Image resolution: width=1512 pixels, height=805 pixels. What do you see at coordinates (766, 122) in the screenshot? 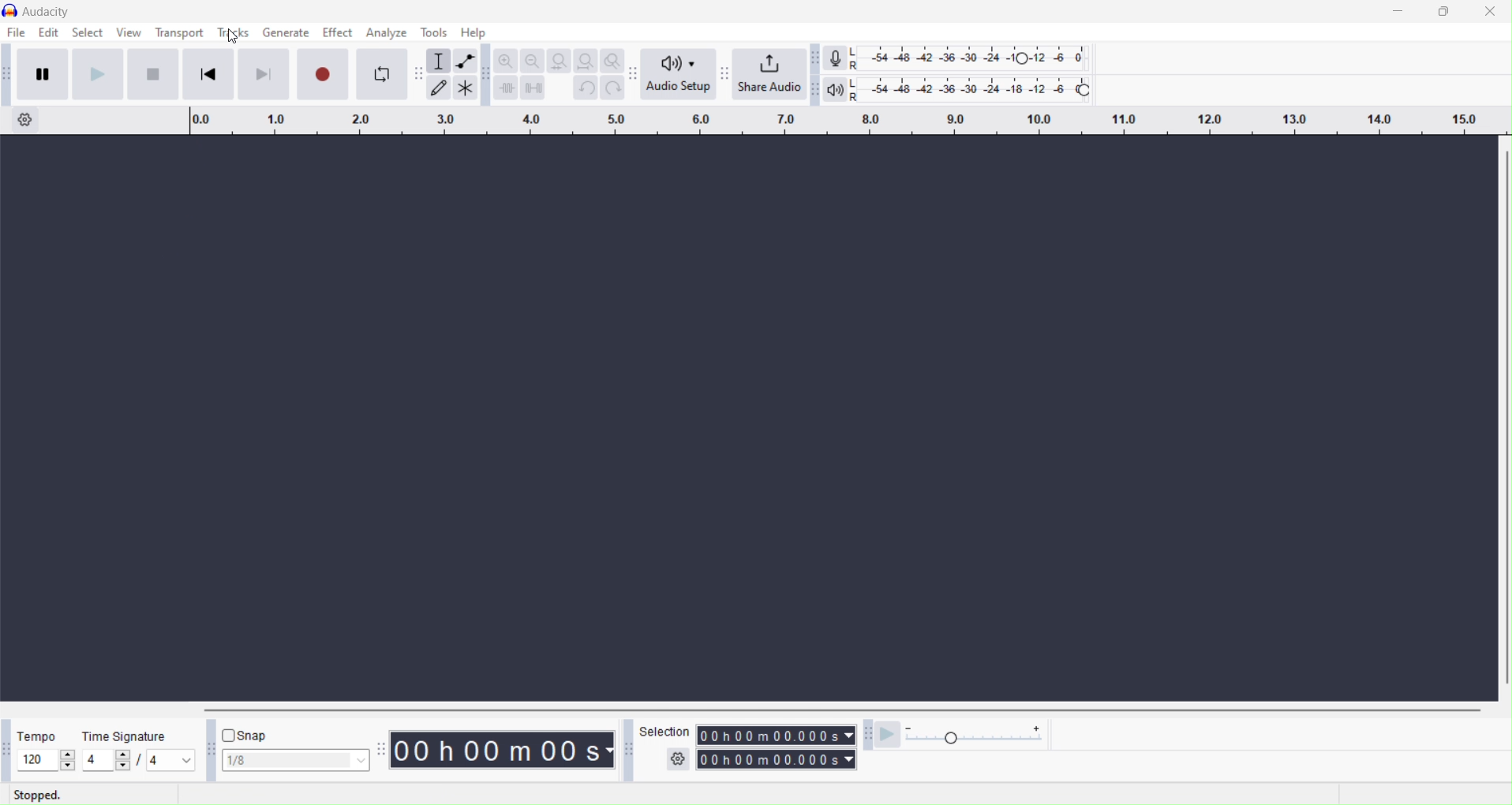
I see `Click and drag to define a lopping region` at bounding box center [766, 122].